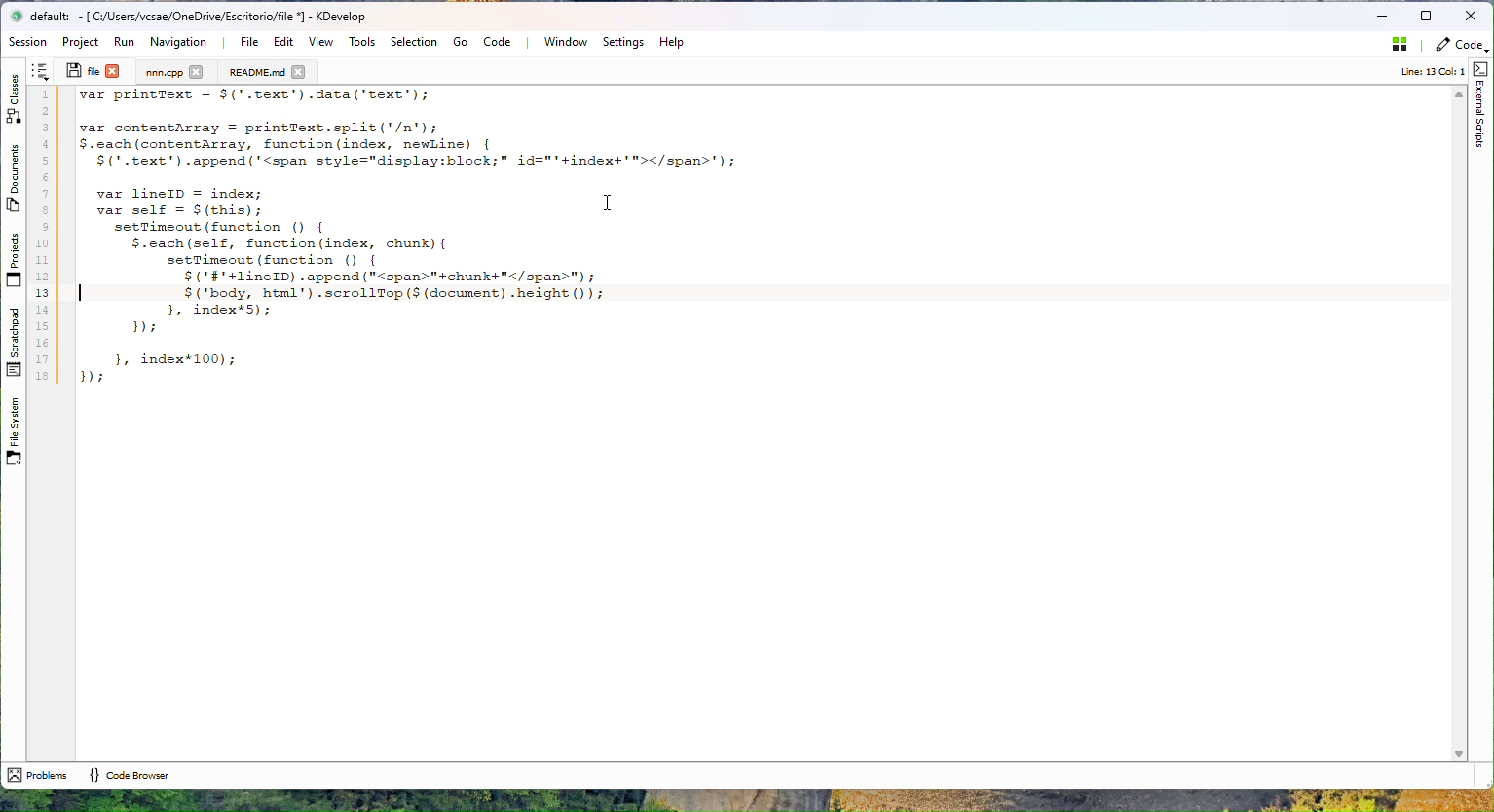  Describe the element at coordinates (15, 181) in the screenshot. I see `Documents` at that location.